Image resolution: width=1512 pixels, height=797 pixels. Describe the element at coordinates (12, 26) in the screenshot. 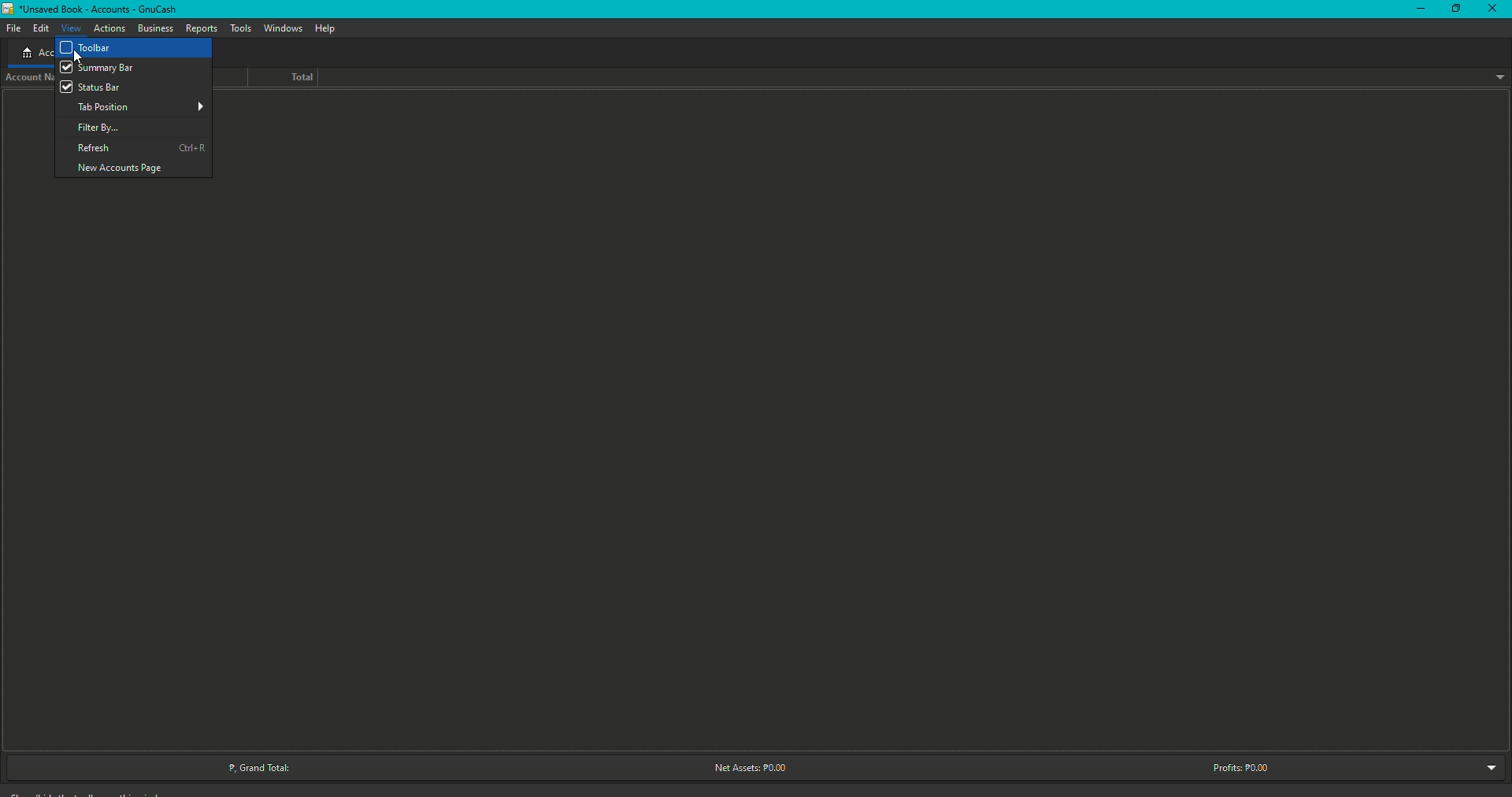

I see `File` at that location.